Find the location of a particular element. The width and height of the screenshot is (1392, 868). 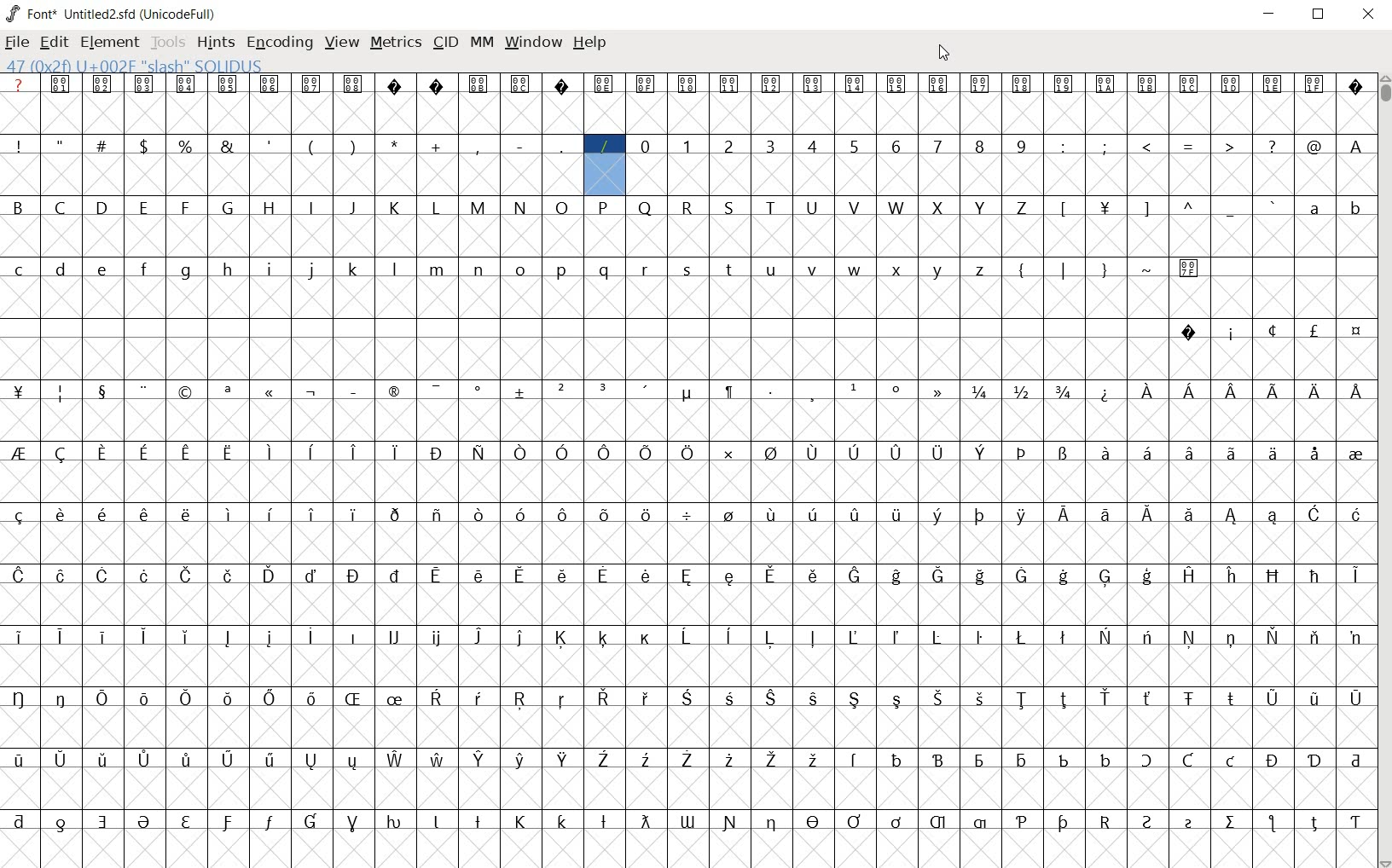

glyph is located at coordinates (561, 453).